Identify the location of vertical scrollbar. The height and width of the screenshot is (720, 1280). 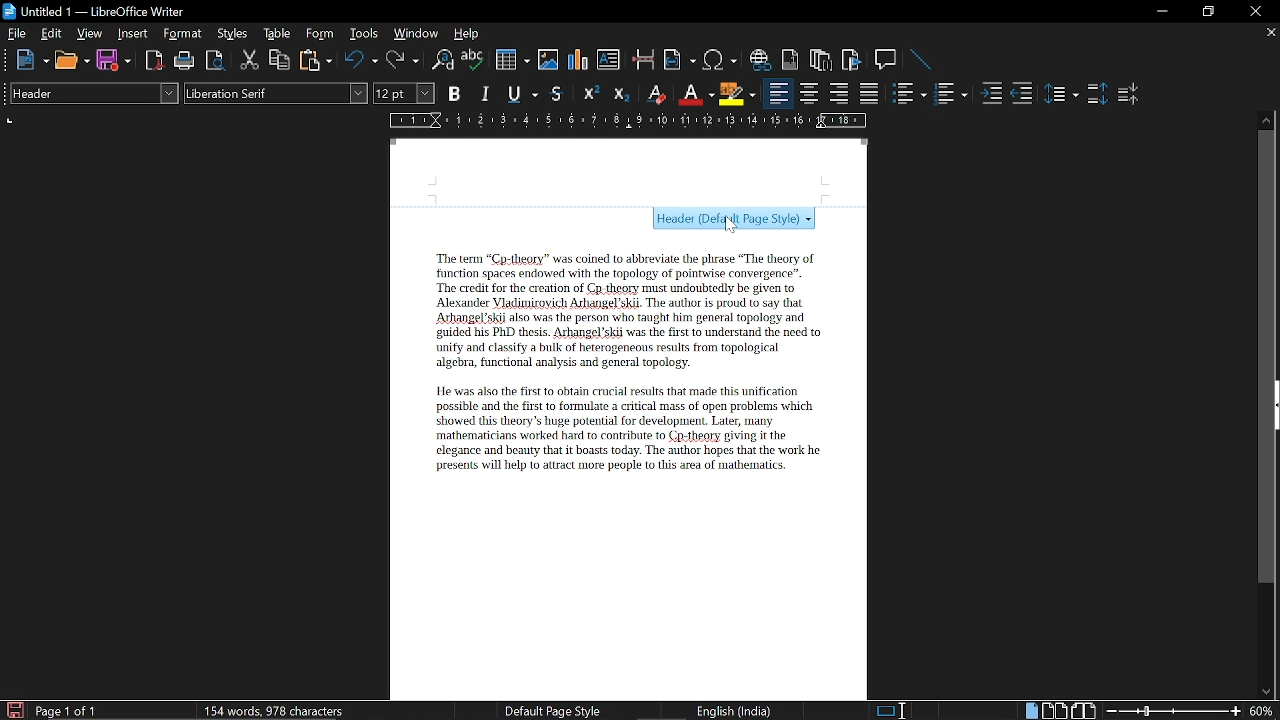
(1263, 357).